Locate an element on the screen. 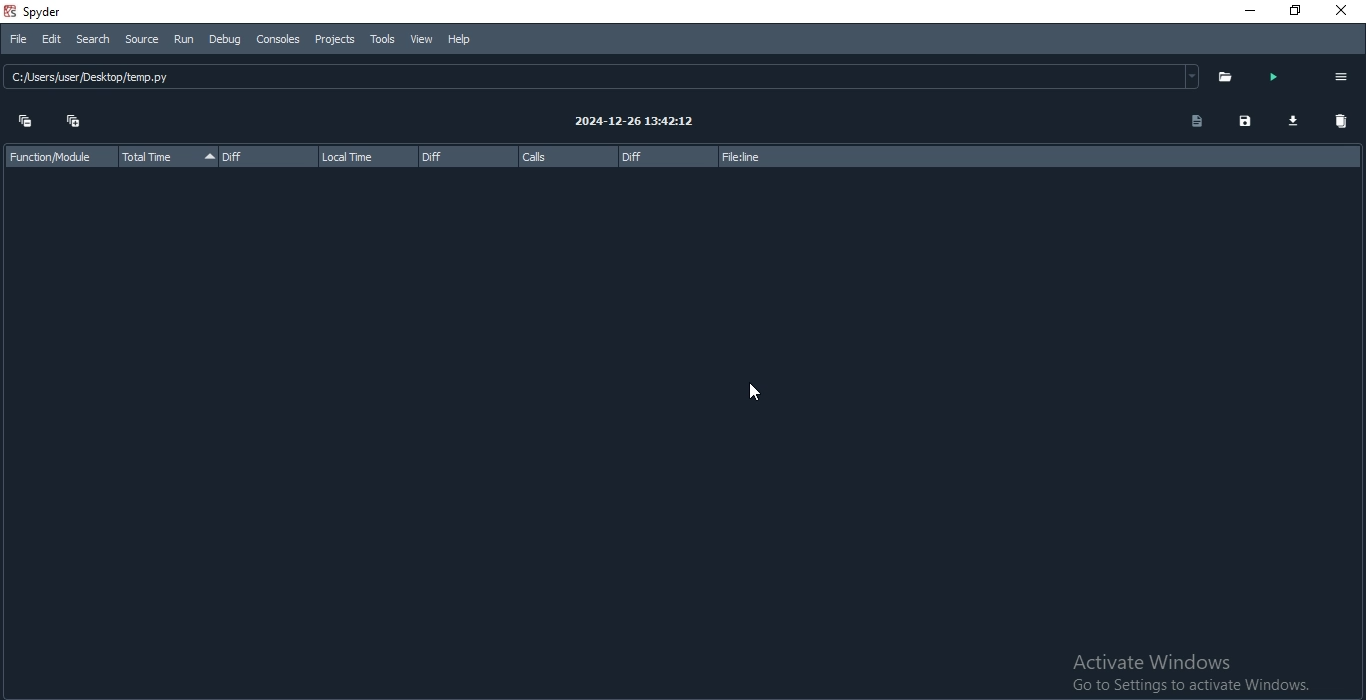 This screenshot has height=700, width=1366. Tools is located at coordinates (384, 38).